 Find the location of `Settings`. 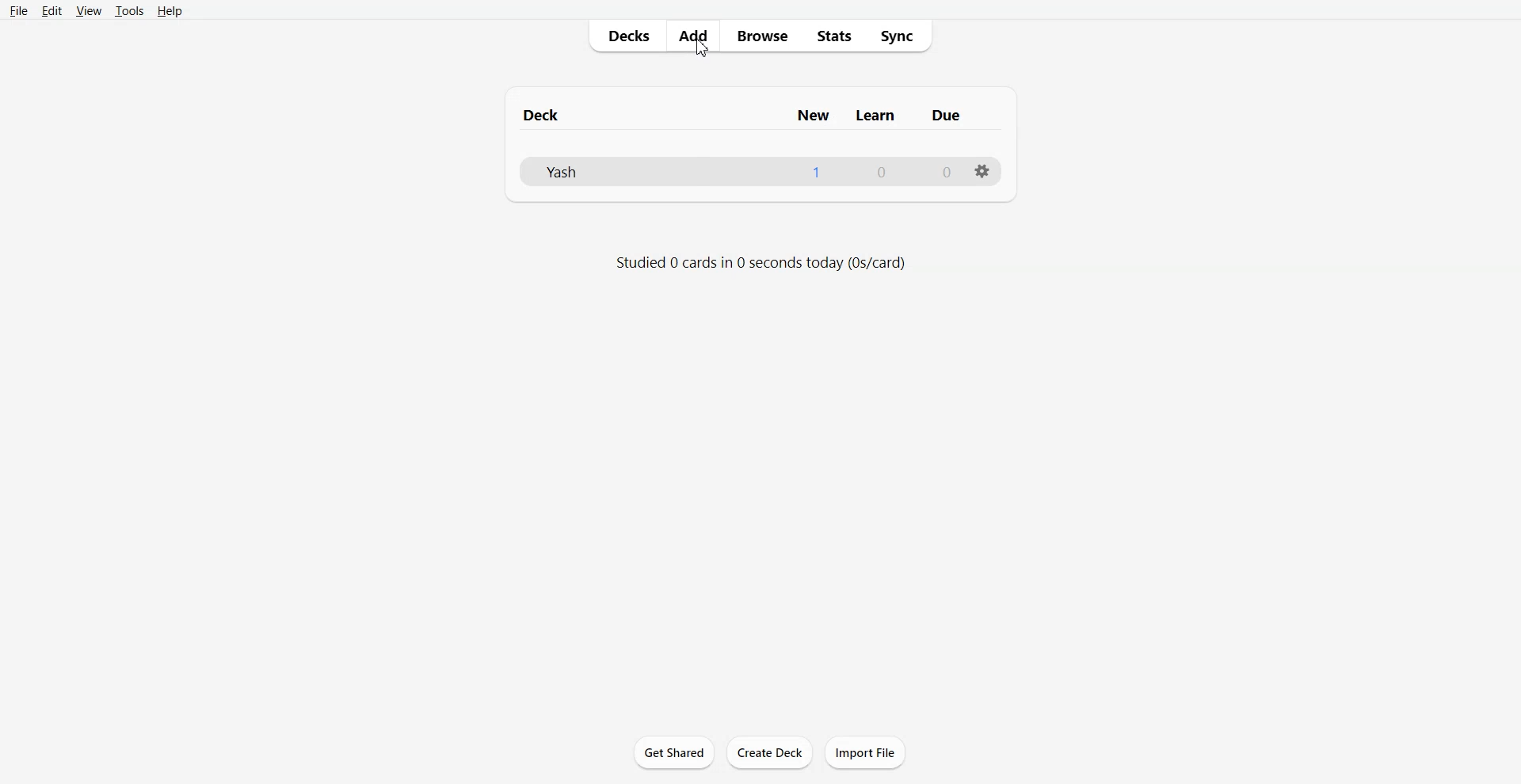

Settings is located at coordinates (984, 172).